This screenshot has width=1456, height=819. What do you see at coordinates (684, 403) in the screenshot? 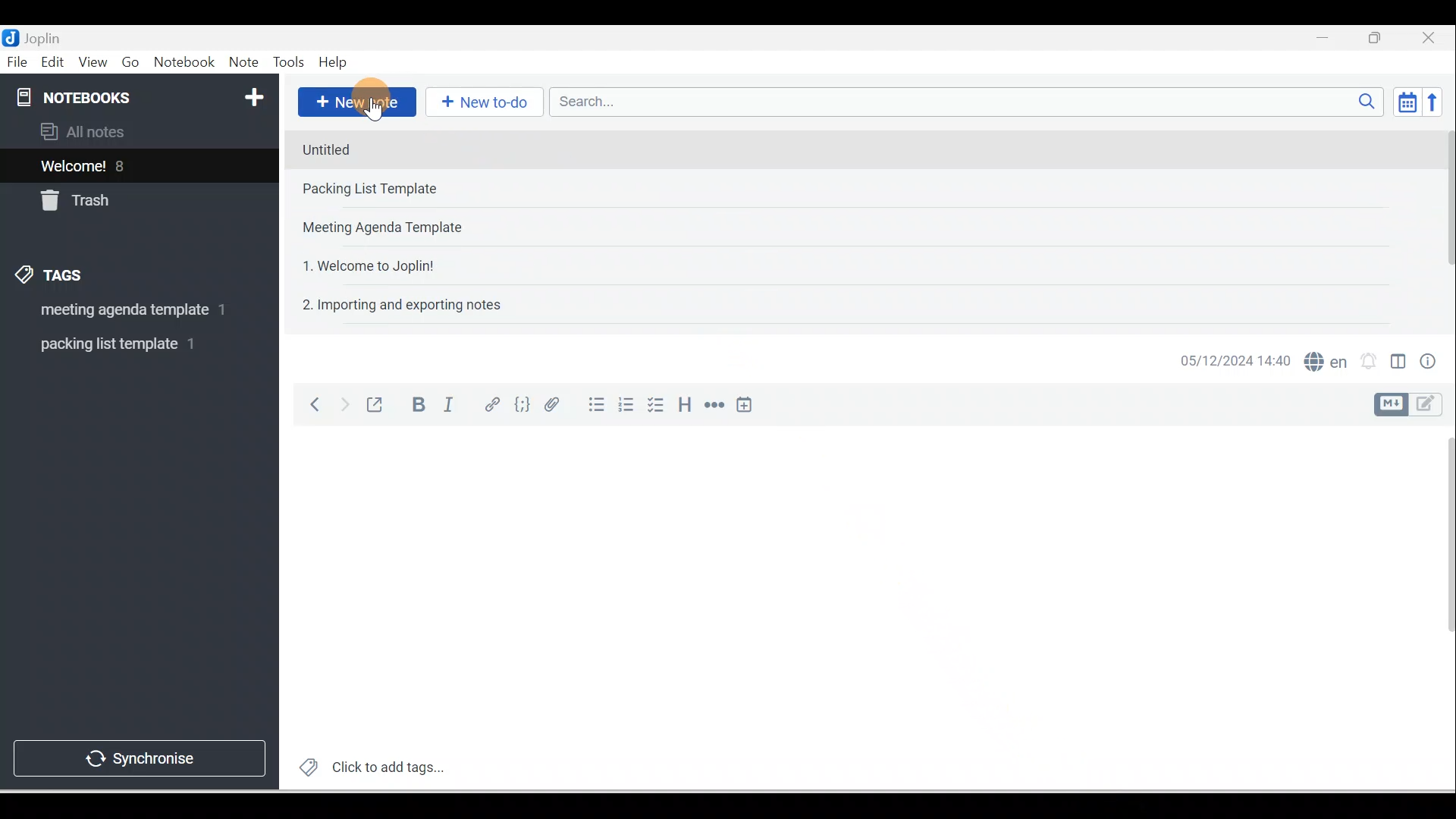
I see `Heading` at bounding box center [684, 403].